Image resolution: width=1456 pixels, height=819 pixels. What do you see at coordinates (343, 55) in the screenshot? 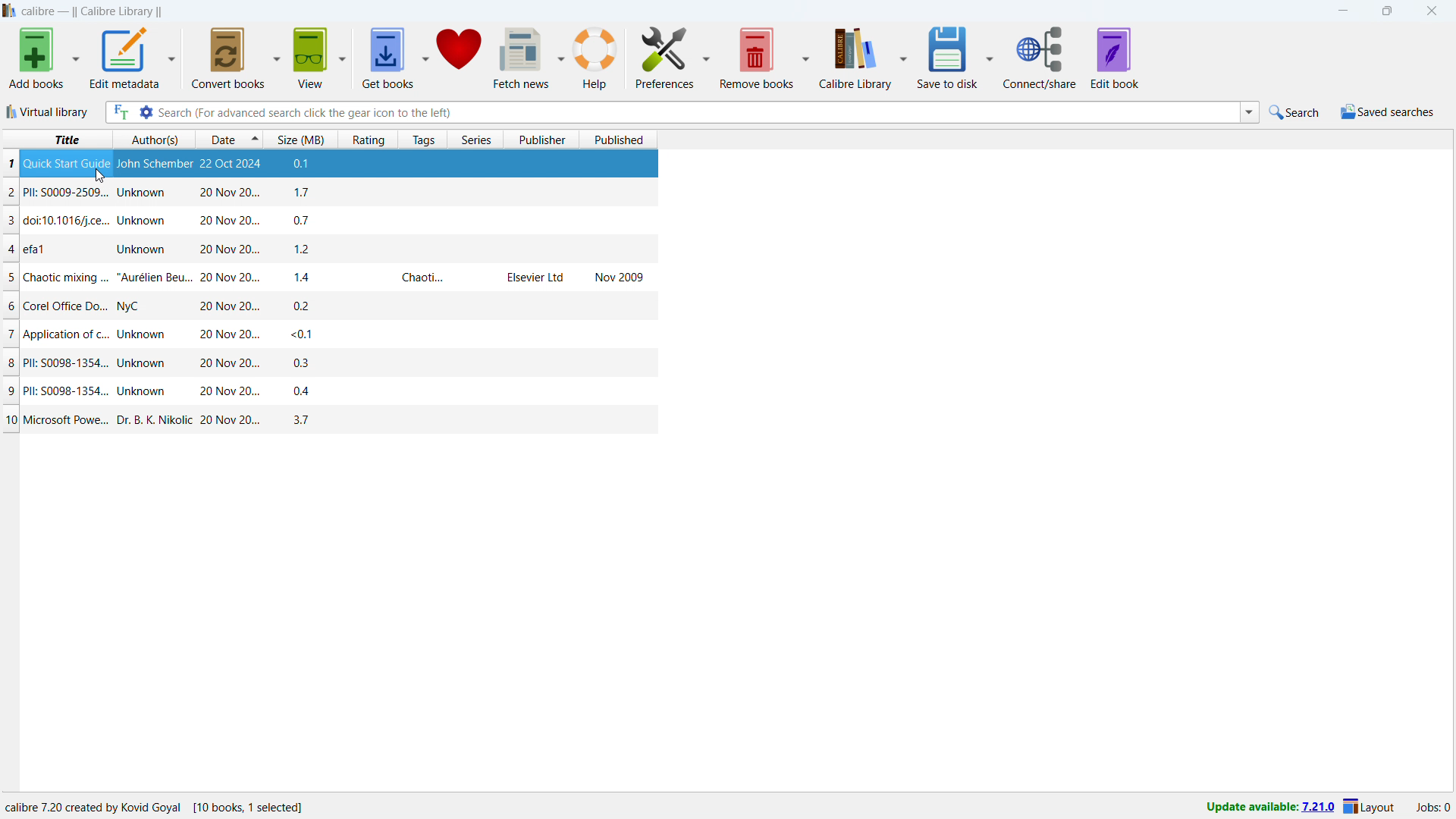
I see `view options` at bounding box center [343, 55].